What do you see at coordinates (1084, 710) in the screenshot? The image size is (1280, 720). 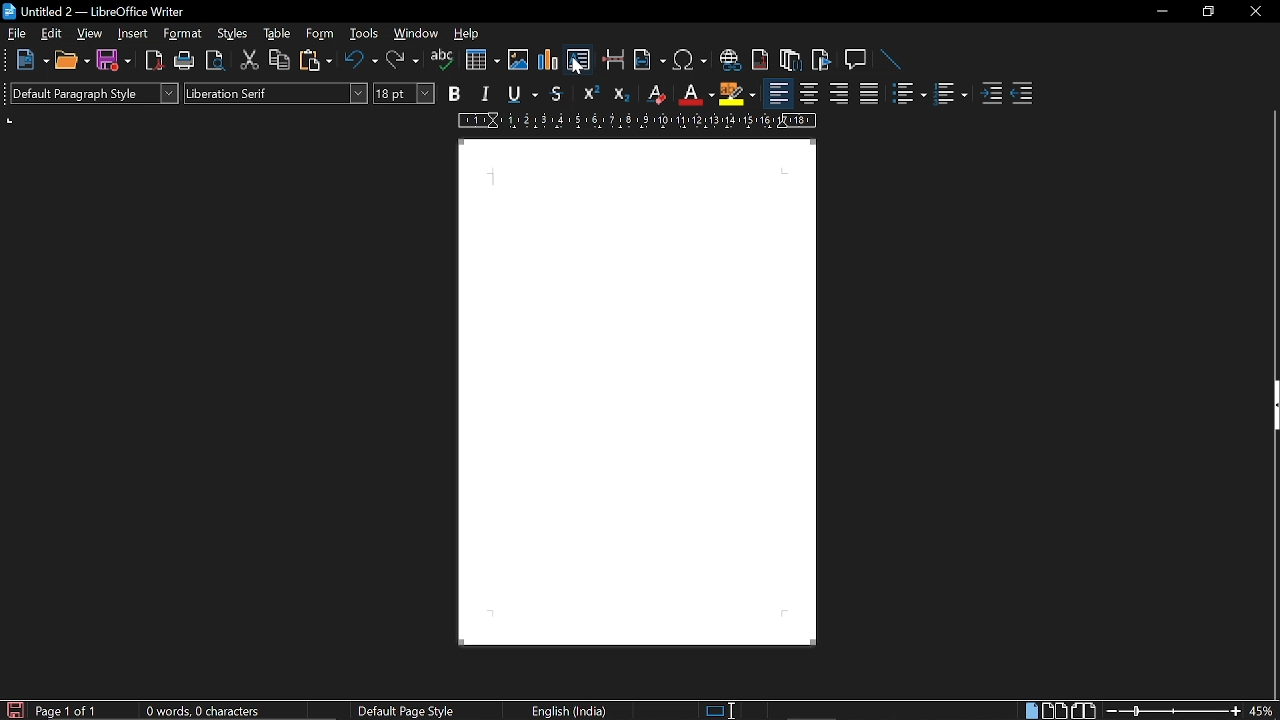 I see `book view` at bounding box center [1084, 710].